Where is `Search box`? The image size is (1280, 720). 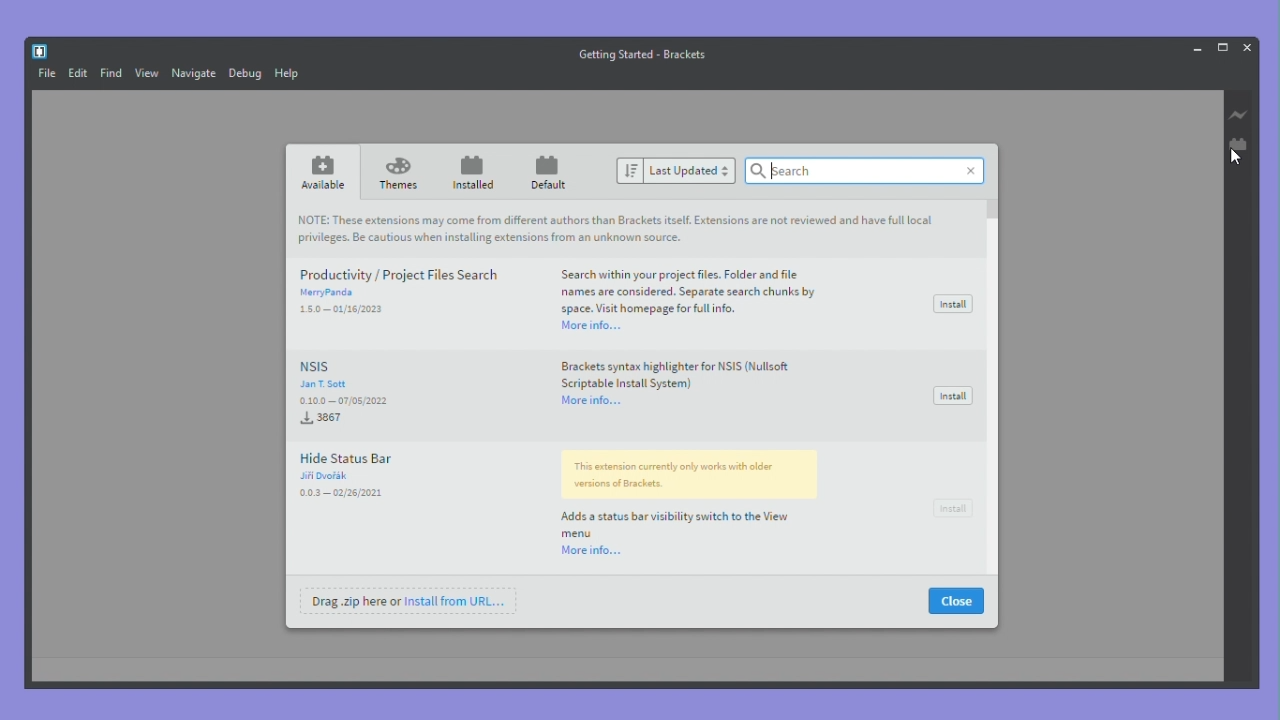 Search box is located at coordinates (866, 172).